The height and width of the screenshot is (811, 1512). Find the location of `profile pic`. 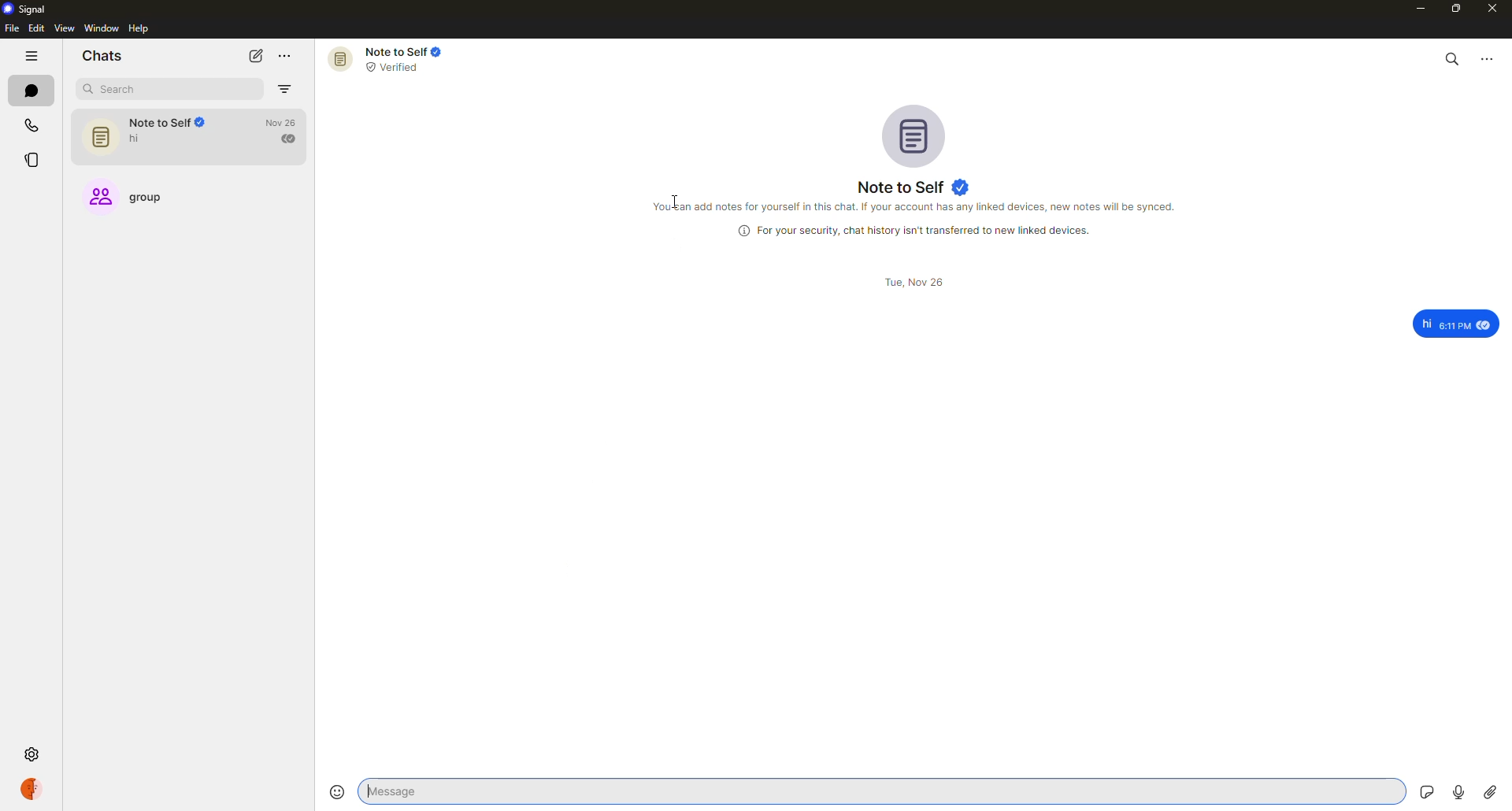

profile pic is located at coordinates (910, 135).